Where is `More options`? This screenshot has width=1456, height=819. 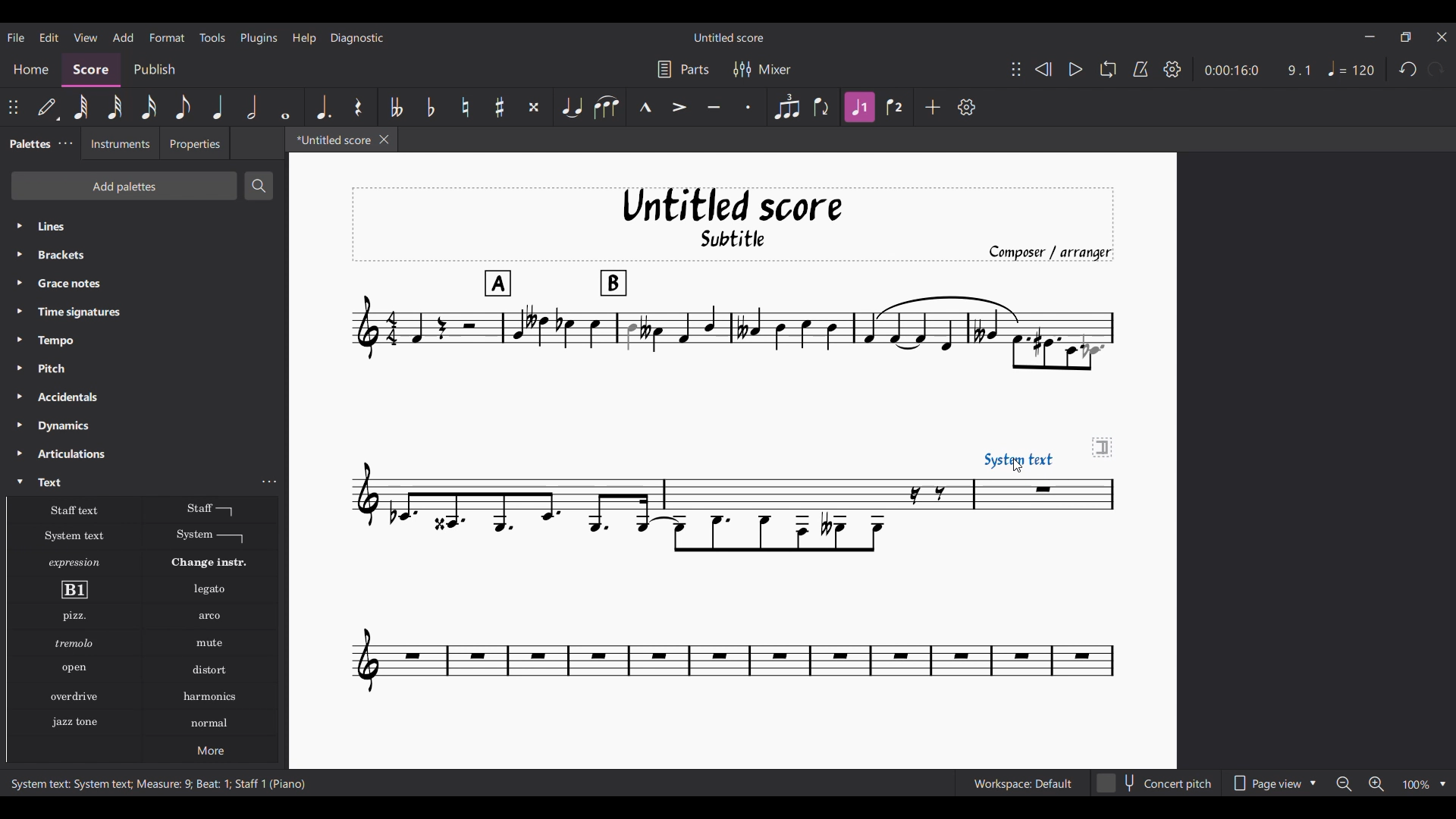
More options is located at coordinates (210, 749).